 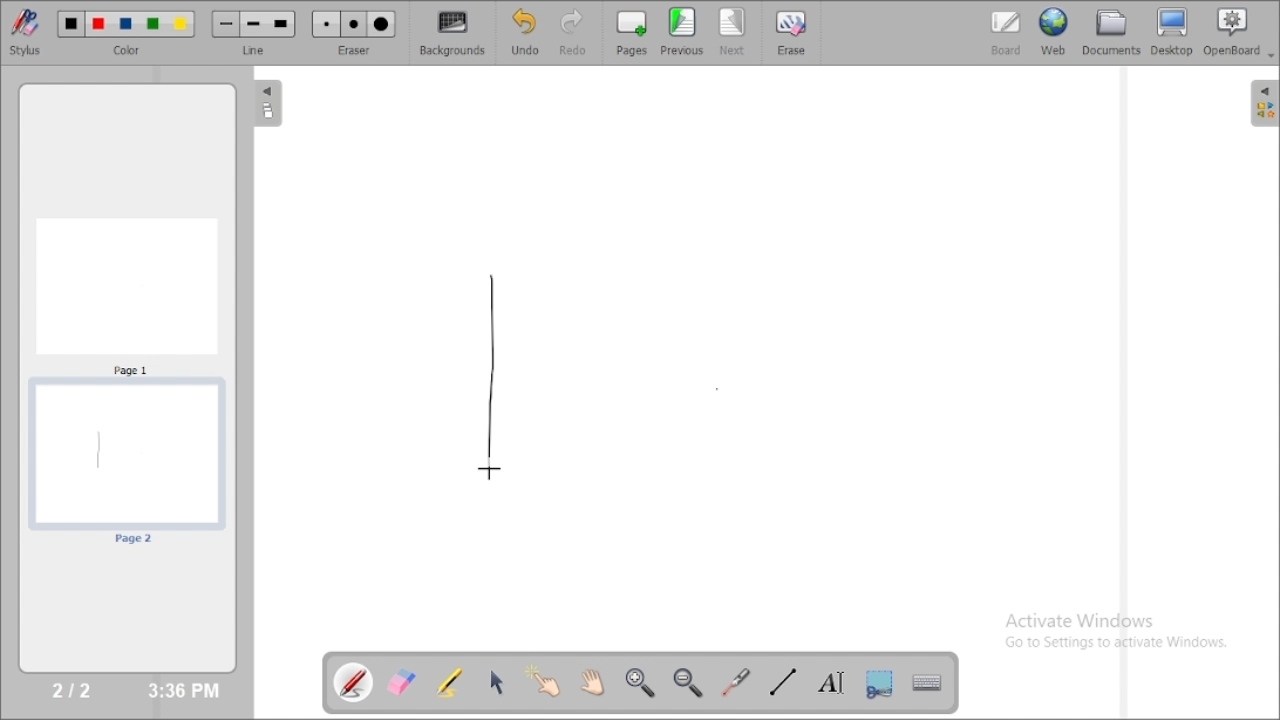 I want to click on Page 1, so click(x=127, y=295).